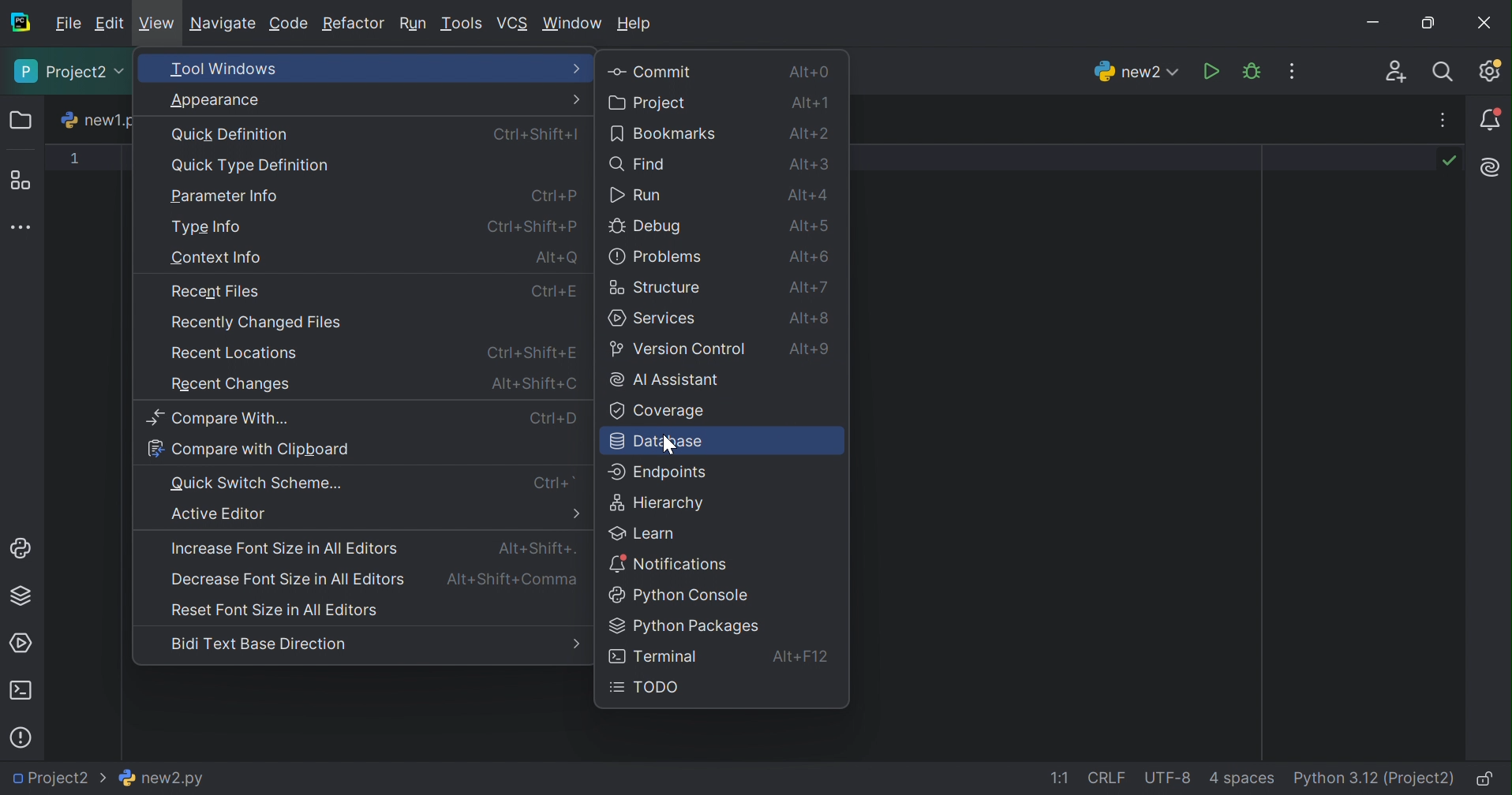 This screenshot has width=1512, height=795. Describe the element at coordinates (809, 319) in the screenshot. I see `Alt+8` at that location.